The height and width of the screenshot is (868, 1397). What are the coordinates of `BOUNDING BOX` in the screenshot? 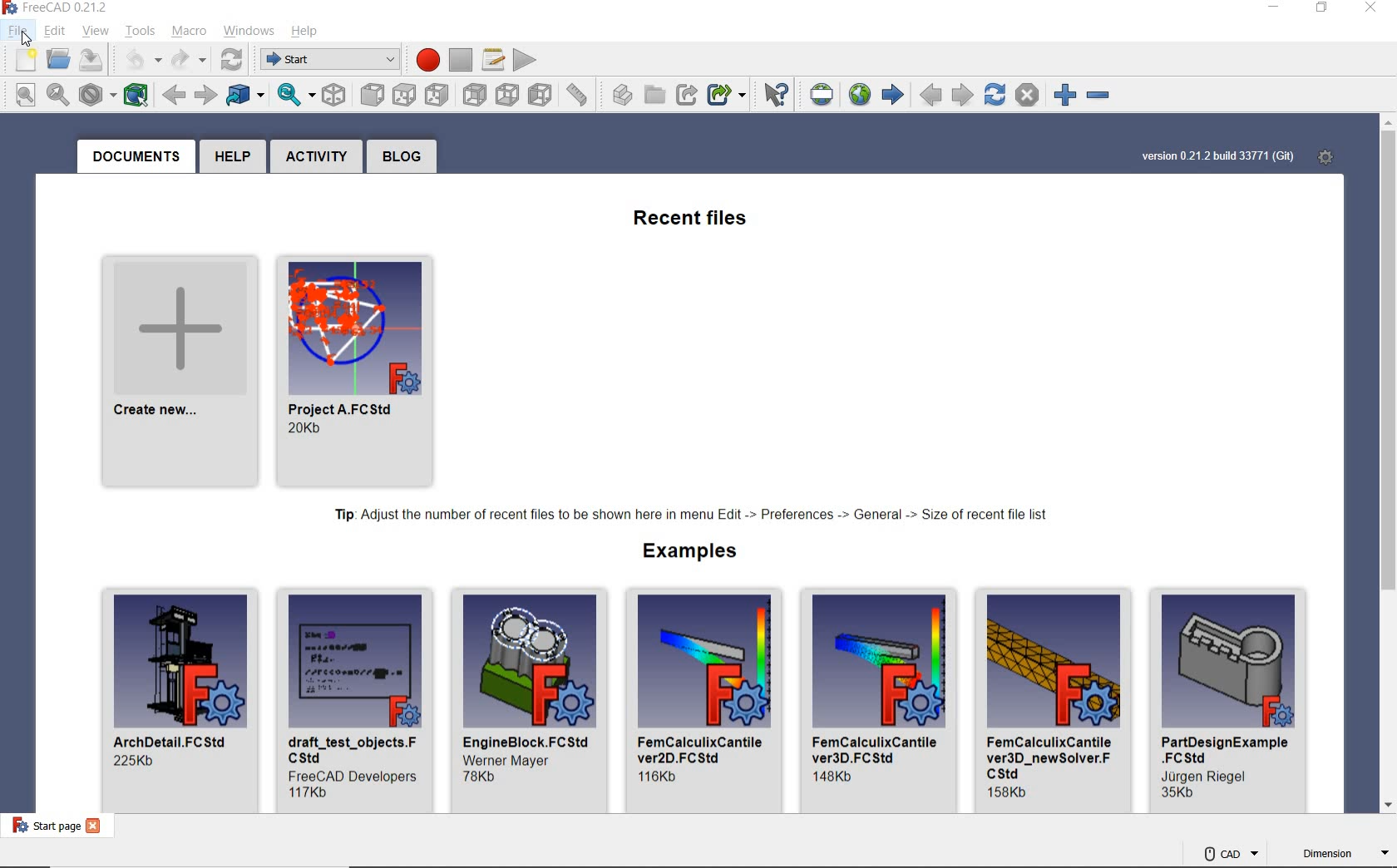 It's located at (132, 94).